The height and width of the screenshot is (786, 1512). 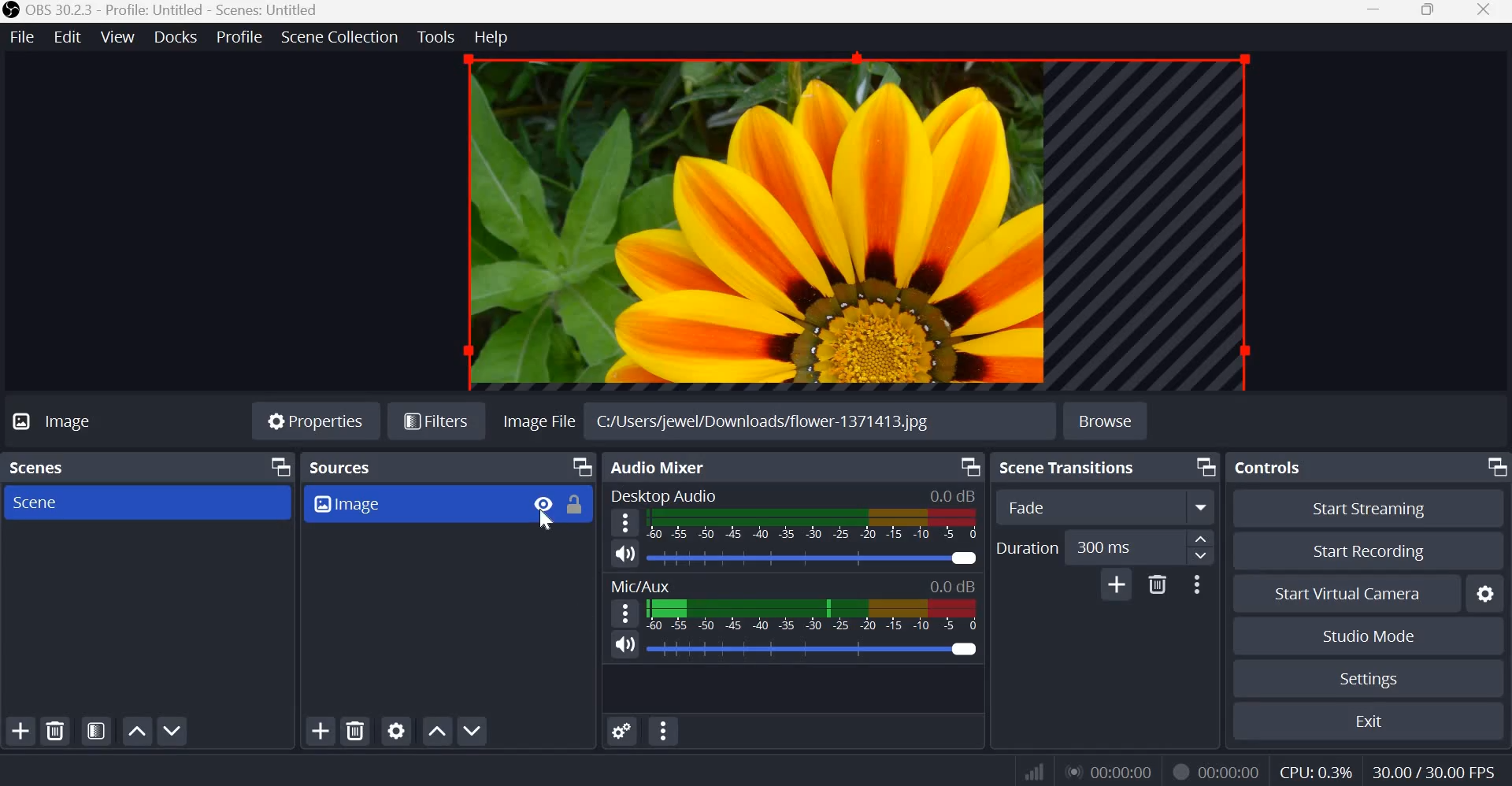 What do you see at coordinates (813, 526) in the screenshot?
I see `Volume Meter` at bounding box center [813, 526].